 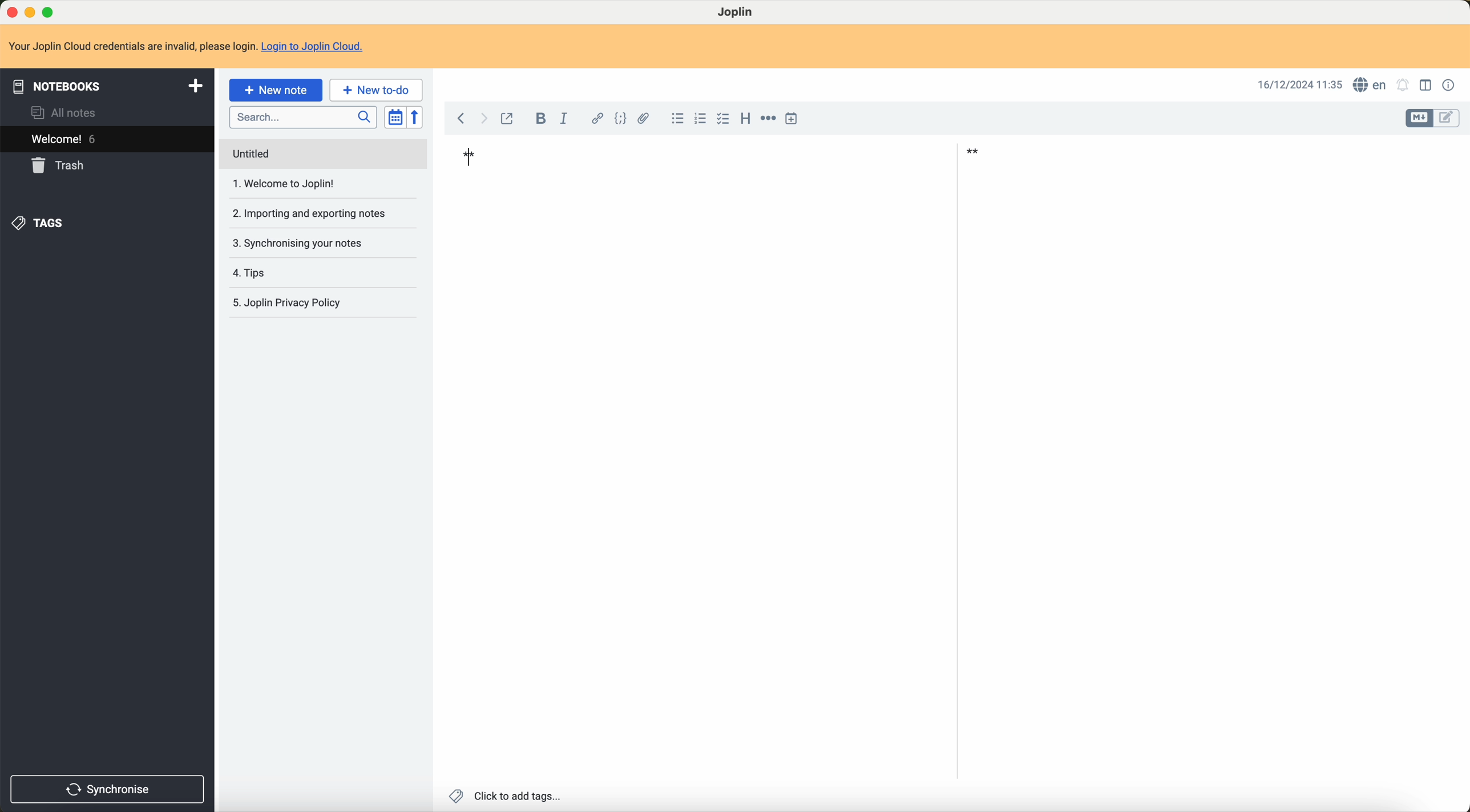 What do you see at coordinates (10, 10) in the screenshot?
I see `close program` at bounding box center [10, 10].